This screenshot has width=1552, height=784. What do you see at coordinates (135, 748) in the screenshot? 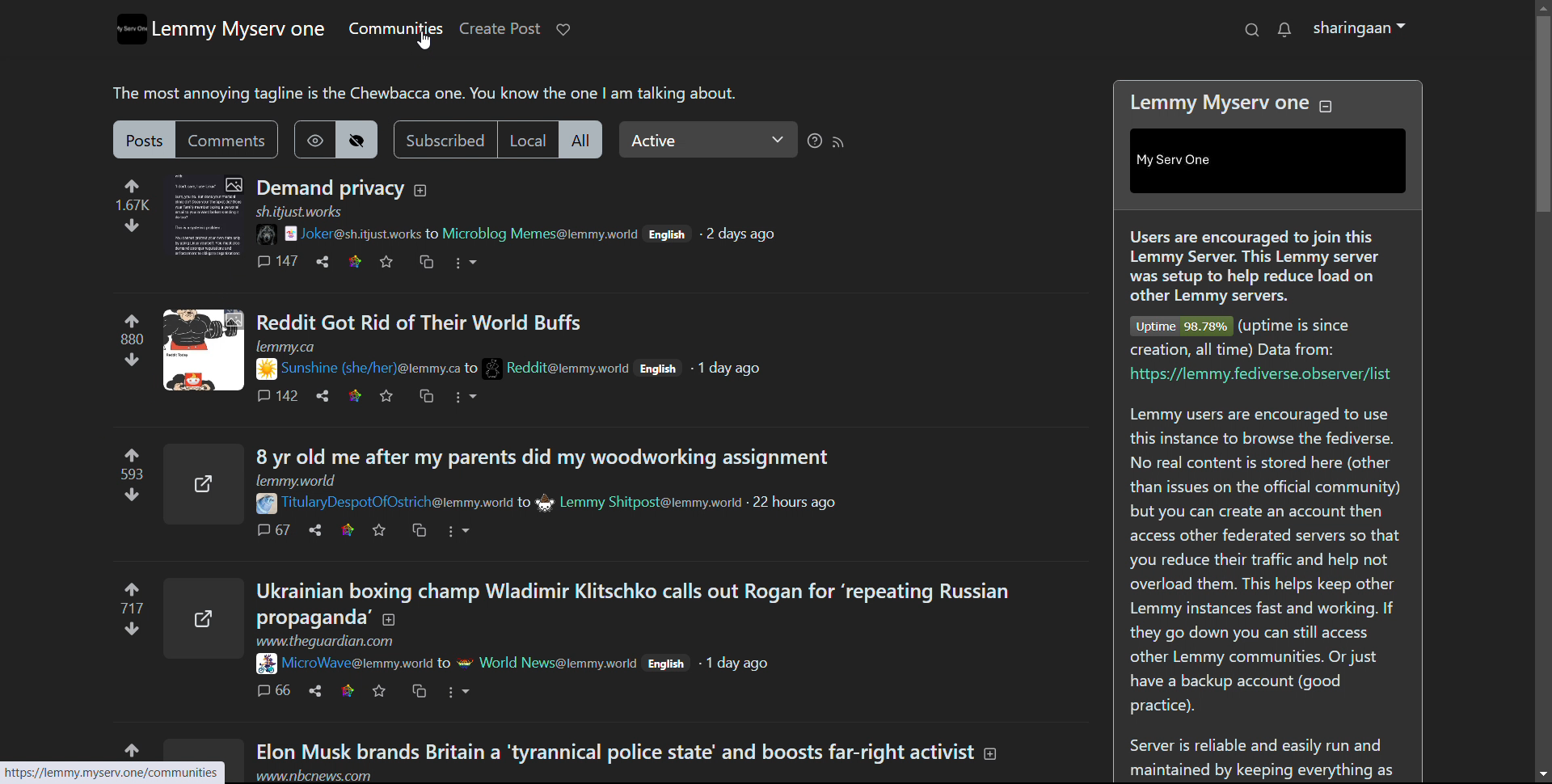
I see `upvote` at bounding box center [135, 748].